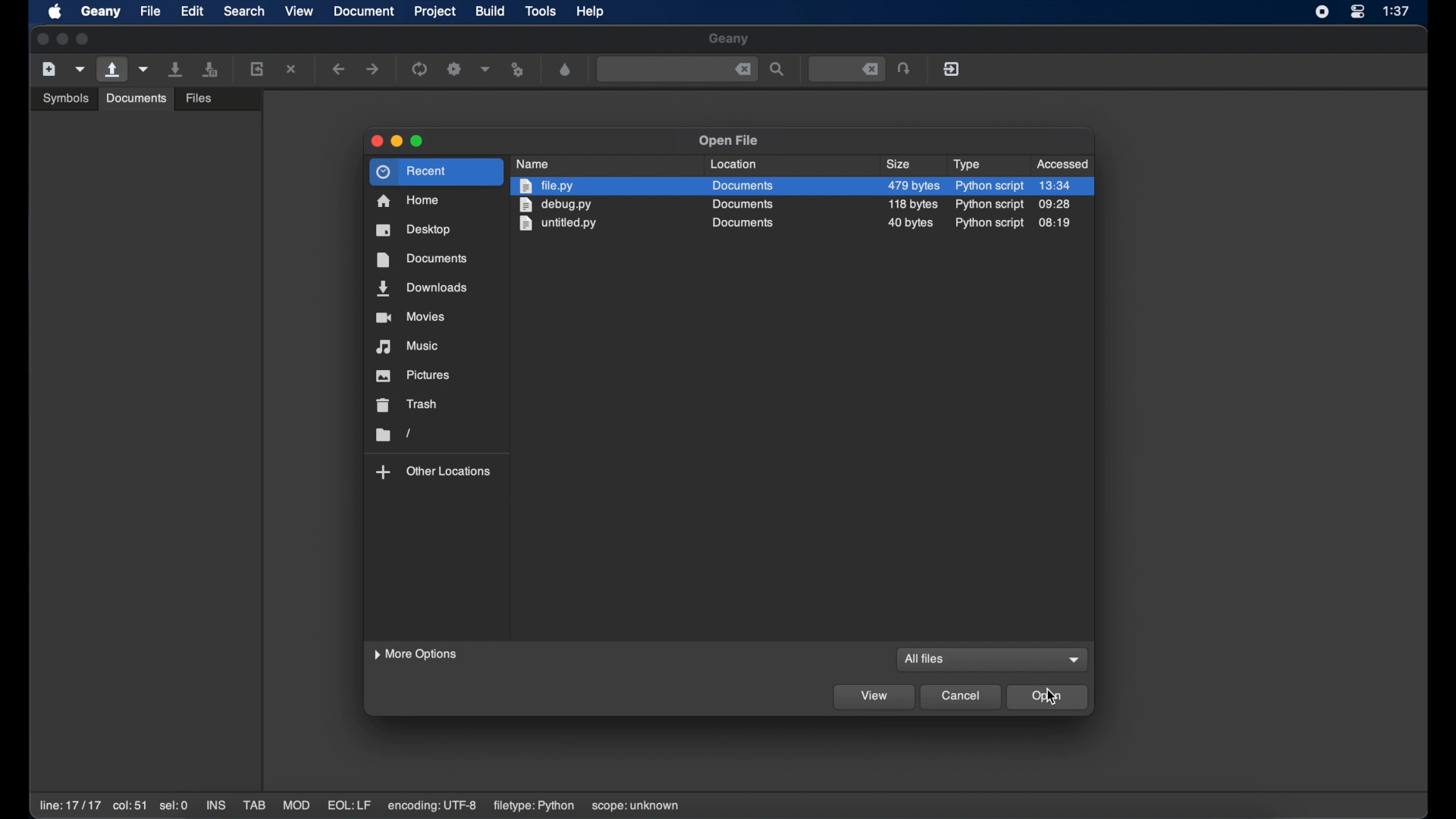 This screenshot has height=819, width=1456. I want to click on downloads, so click(422, 289).